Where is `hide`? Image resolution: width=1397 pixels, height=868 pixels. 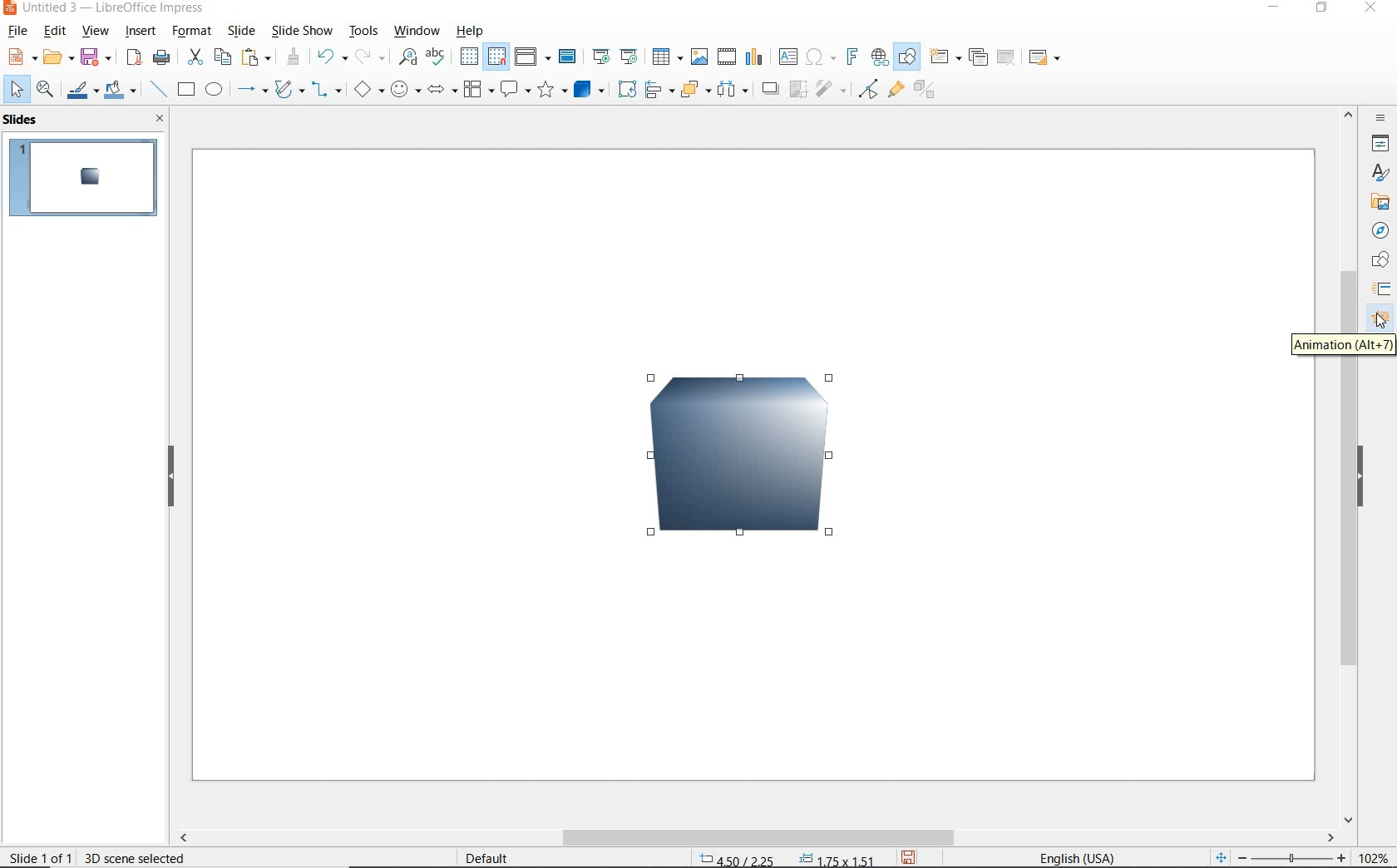
hide is located at coordinates (172, 480).